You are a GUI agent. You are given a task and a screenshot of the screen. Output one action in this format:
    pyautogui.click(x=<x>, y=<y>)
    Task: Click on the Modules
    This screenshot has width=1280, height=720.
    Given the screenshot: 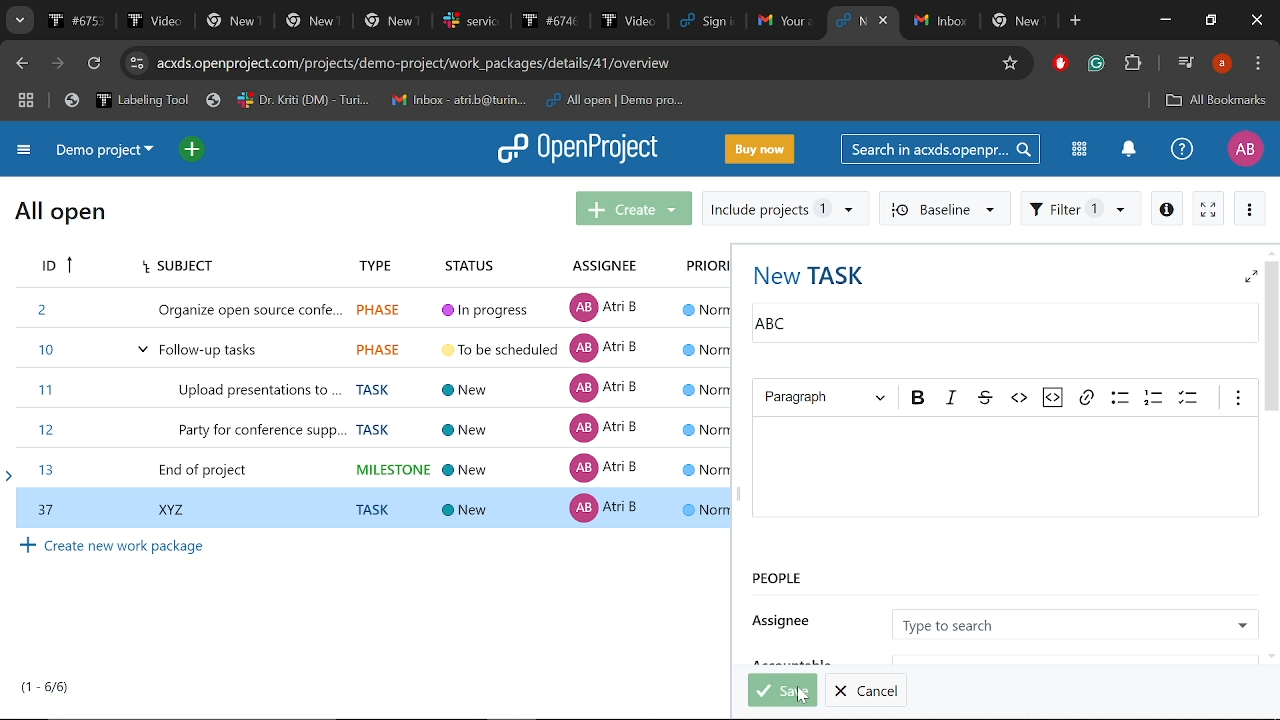 What is the action you would take?
    pyautogui.click(x=1079, y=149)
    